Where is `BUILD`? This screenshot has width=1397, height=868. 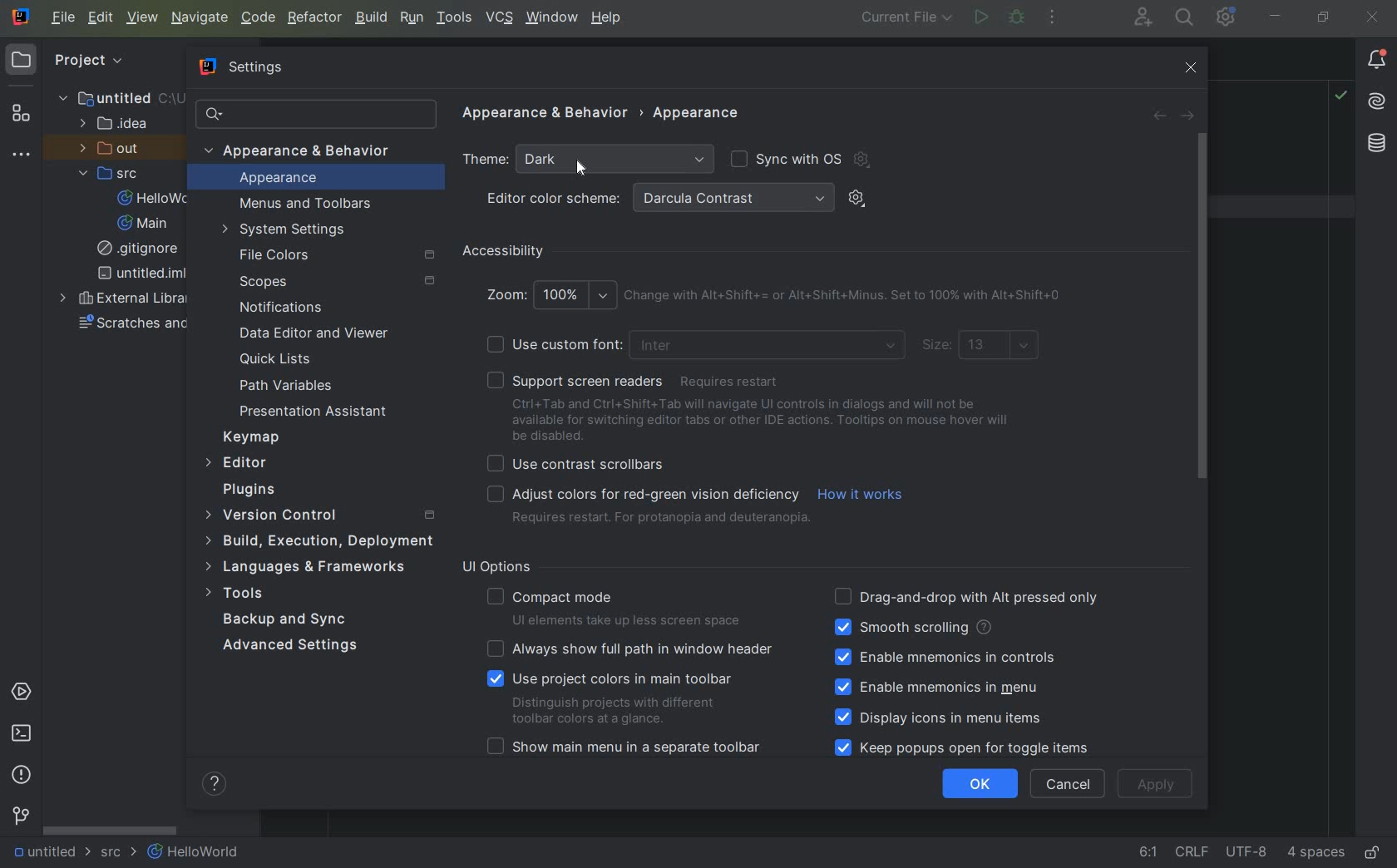 BUILD is located at coordinates (370, 17).